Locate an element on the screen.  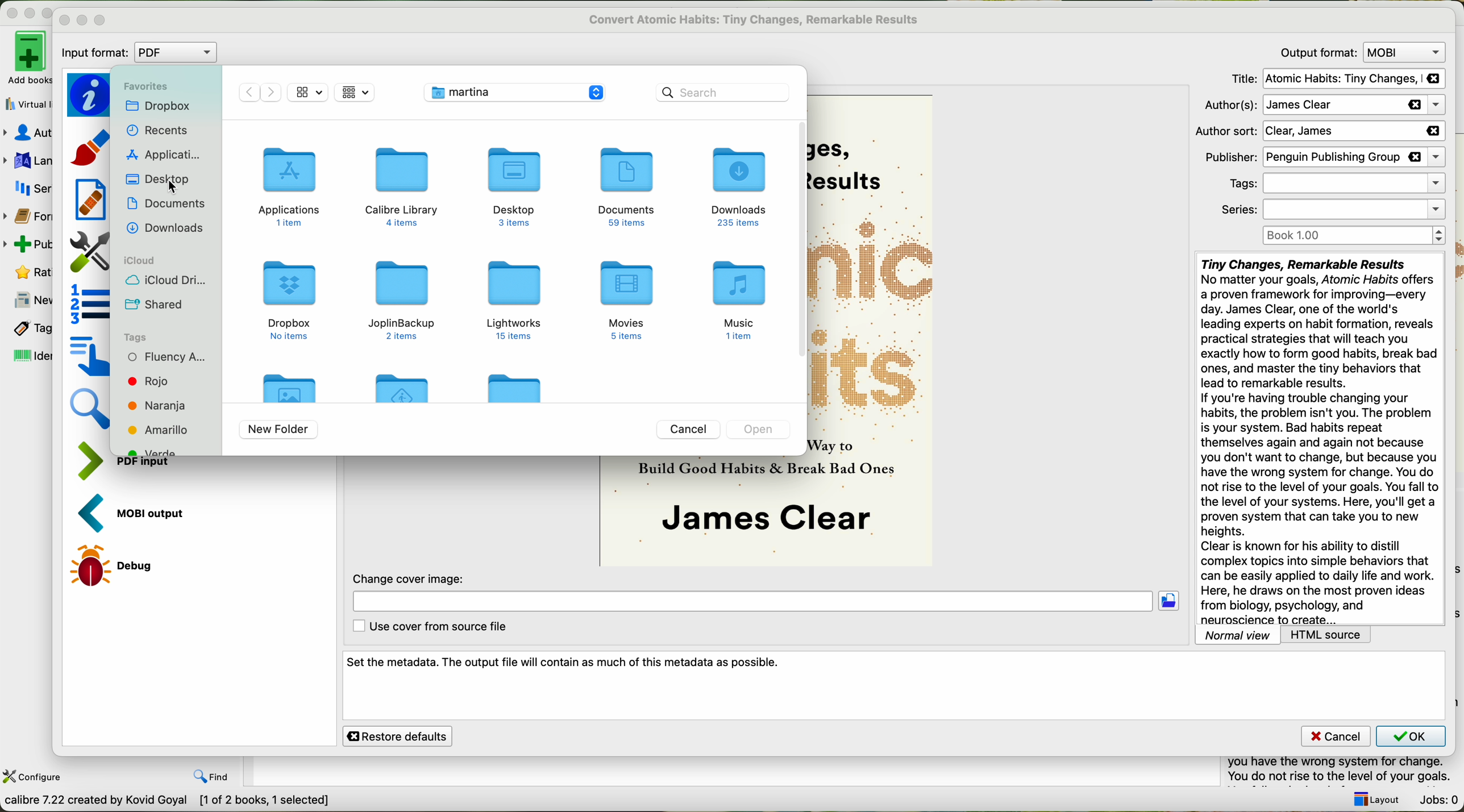
set the metadata is located at coordinates (895, 686).